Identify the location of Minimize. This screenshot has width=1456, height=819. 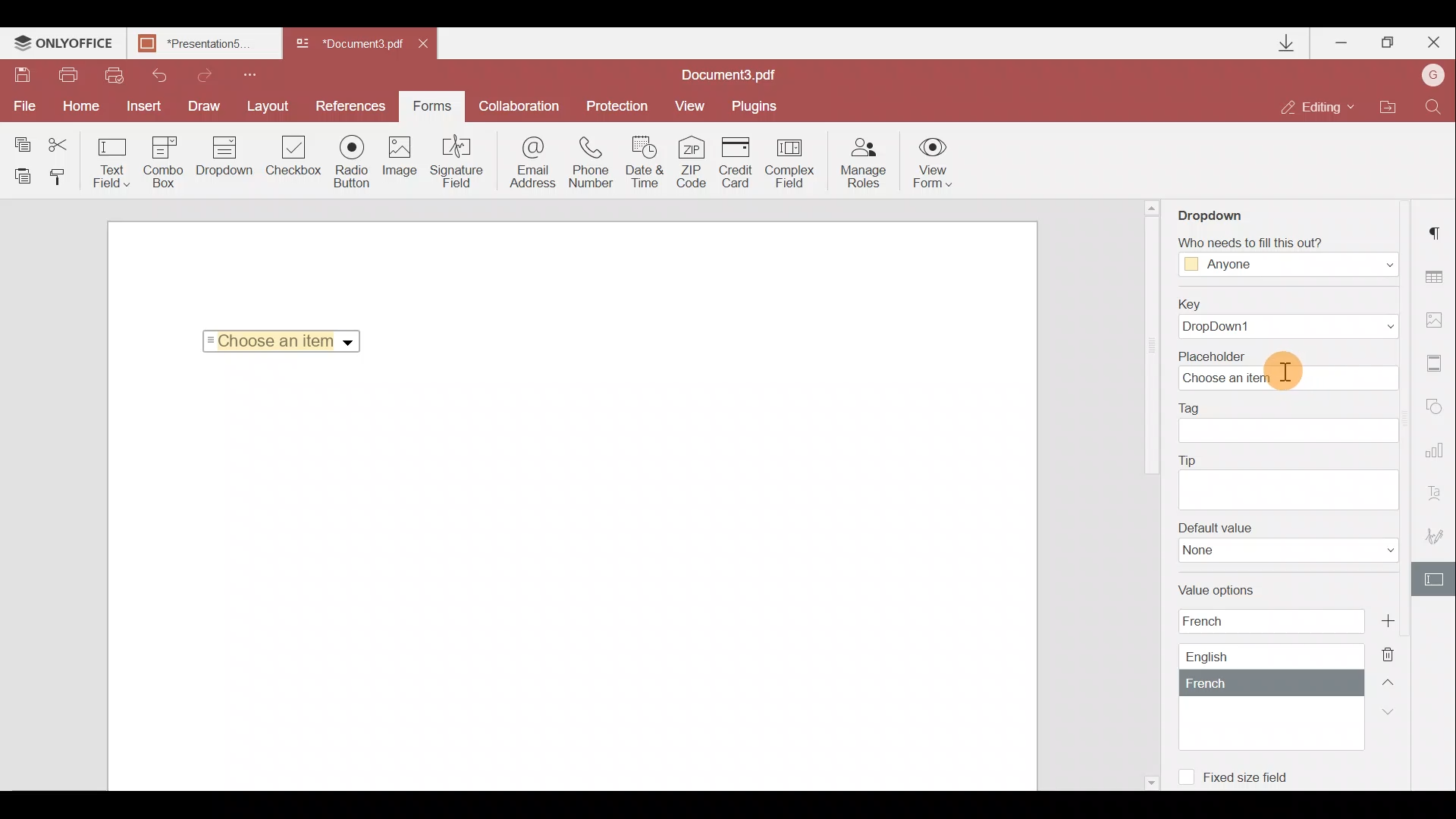
(1343, 39).